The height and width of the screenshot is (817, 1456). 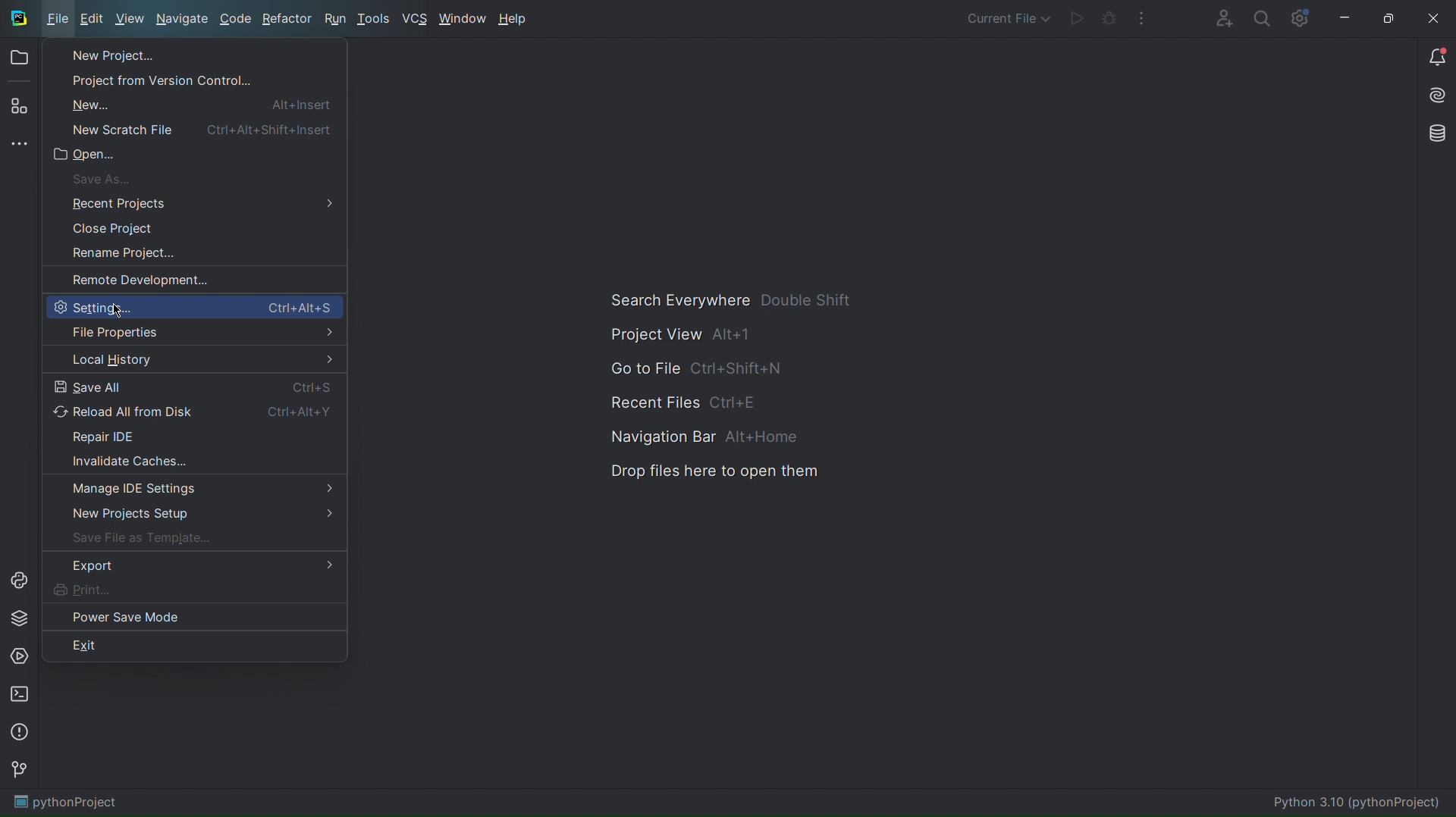 What do you see at coordinates (90, 20) in the screenshot?
I see `Edit` at bounding box center [90, 20].